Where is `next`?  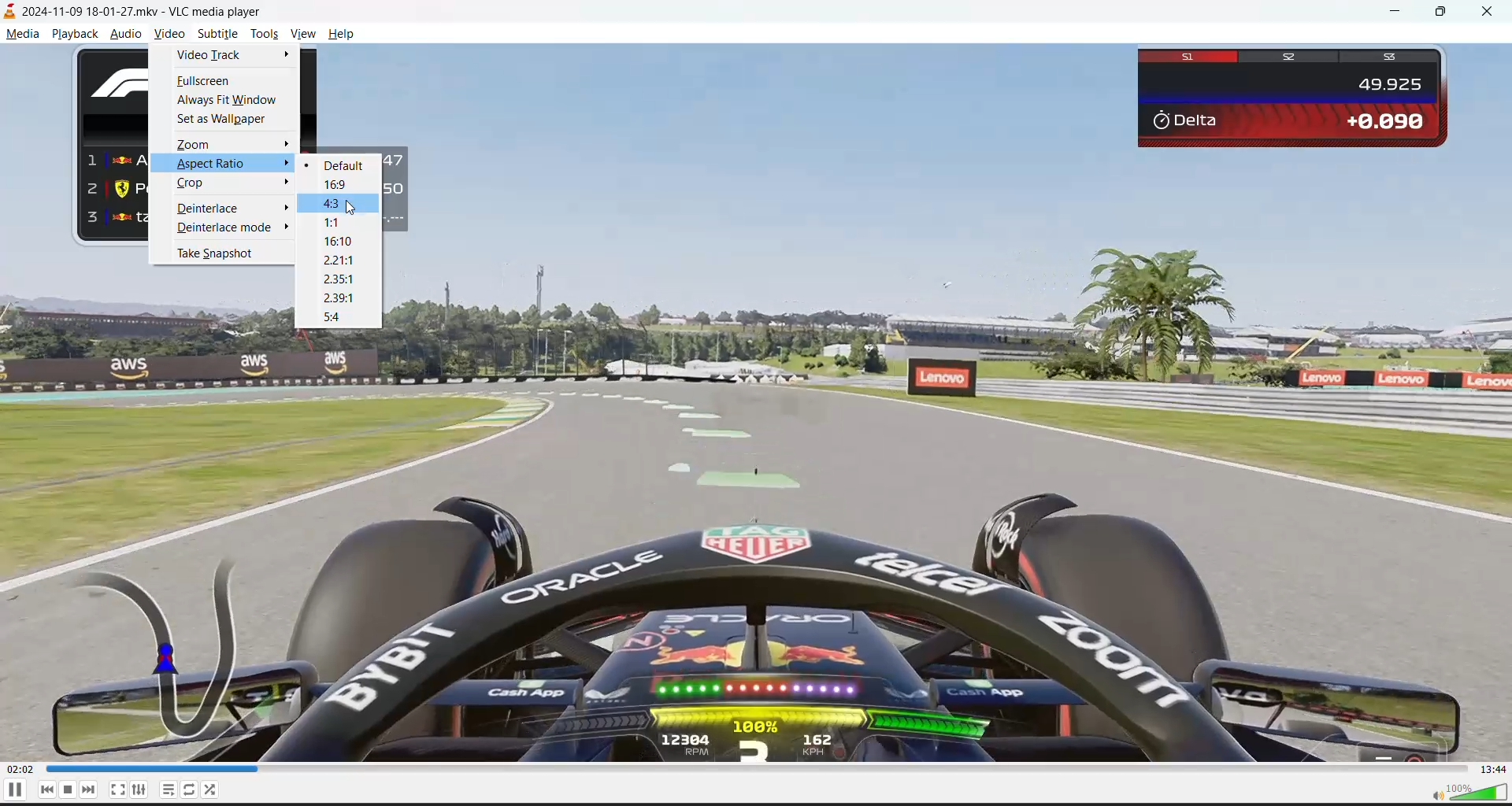 next is located at coordinates (94, 789).